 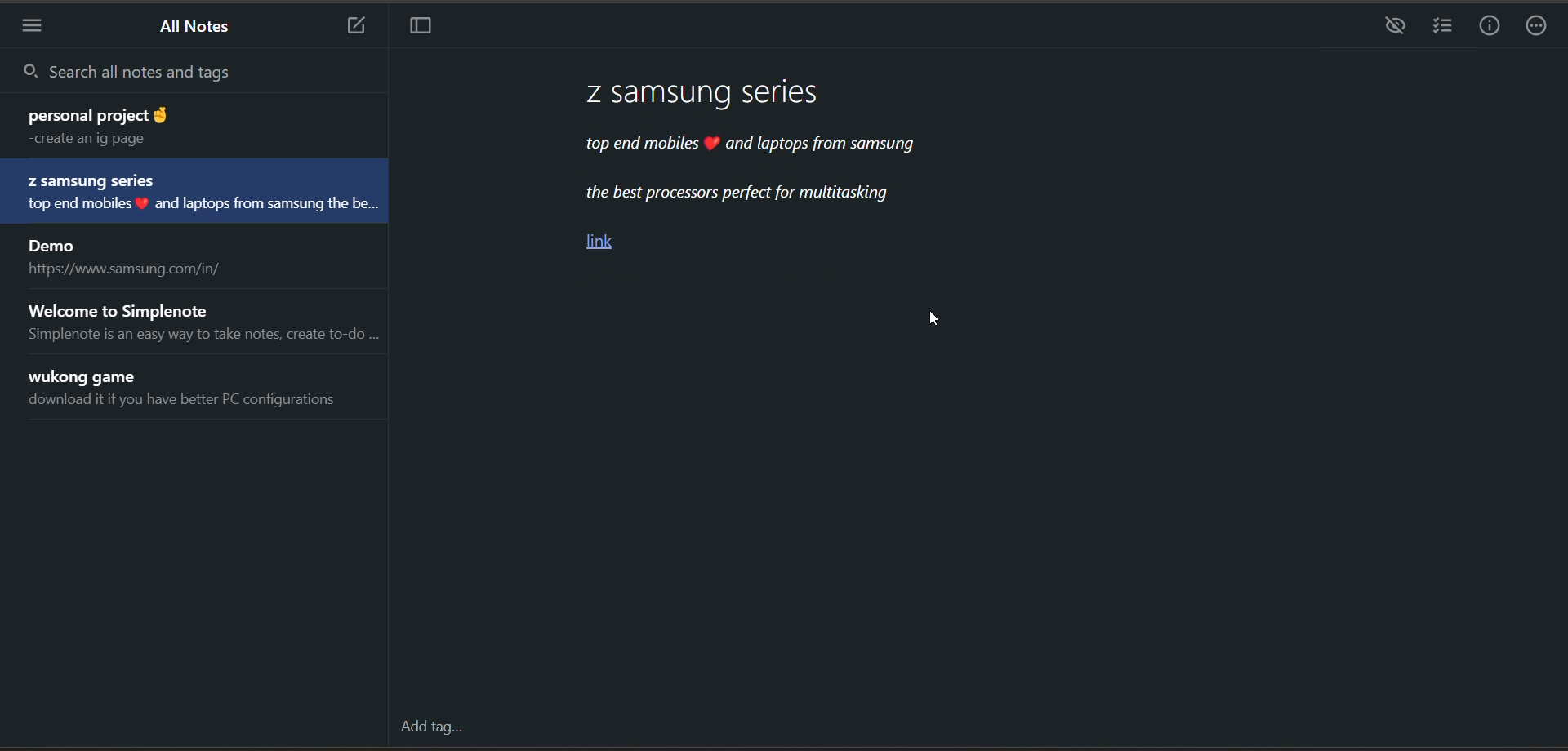 What do you see at coordinates (770, 170) in the screenshot?
I see `note with emoji added to content` at bounding box center [770, 170].